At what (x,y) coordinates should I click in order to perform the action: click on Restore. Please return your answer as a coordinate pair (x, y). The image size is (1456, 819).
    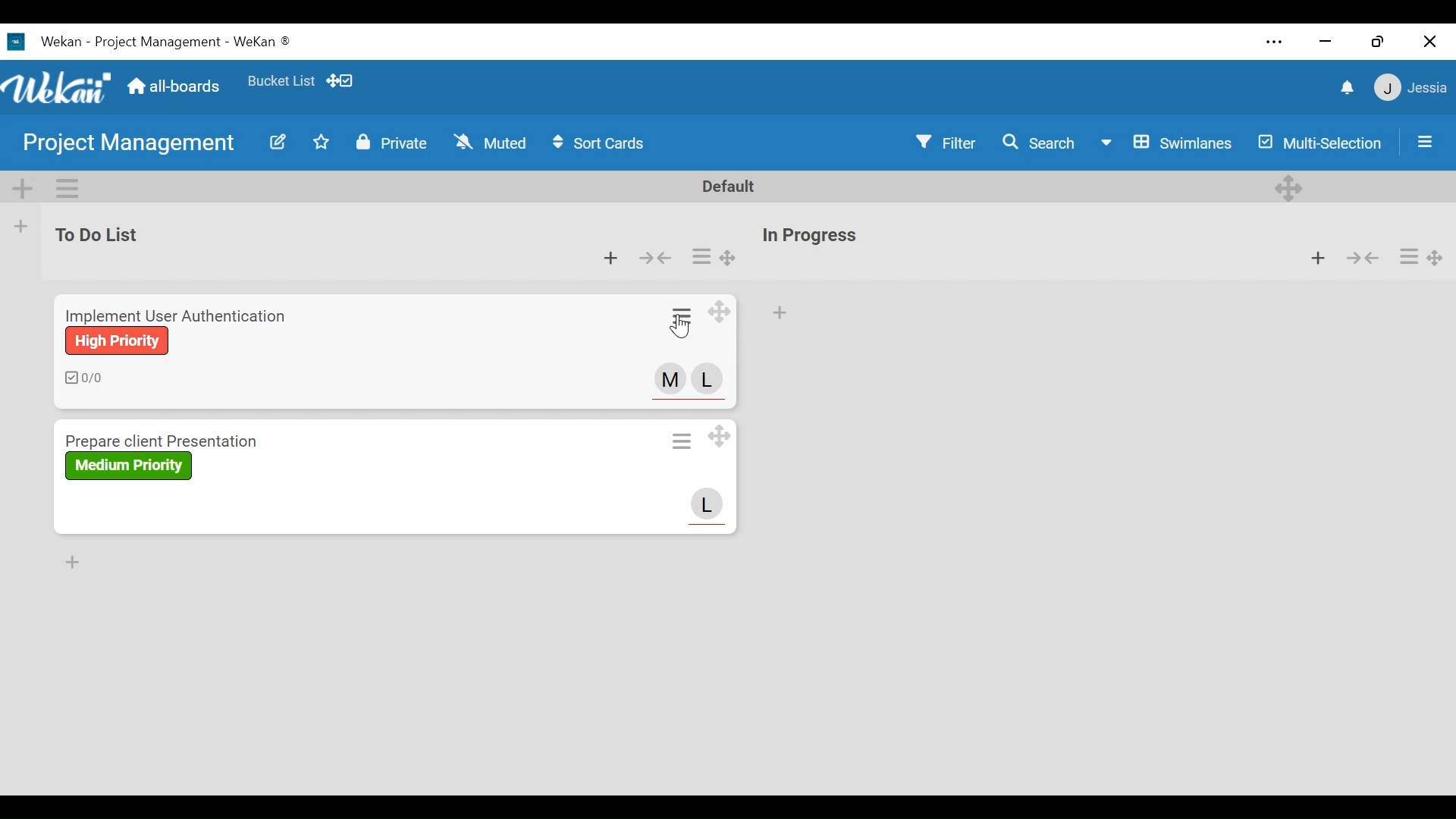
    Looking at the image, I should click on (1379, 41).